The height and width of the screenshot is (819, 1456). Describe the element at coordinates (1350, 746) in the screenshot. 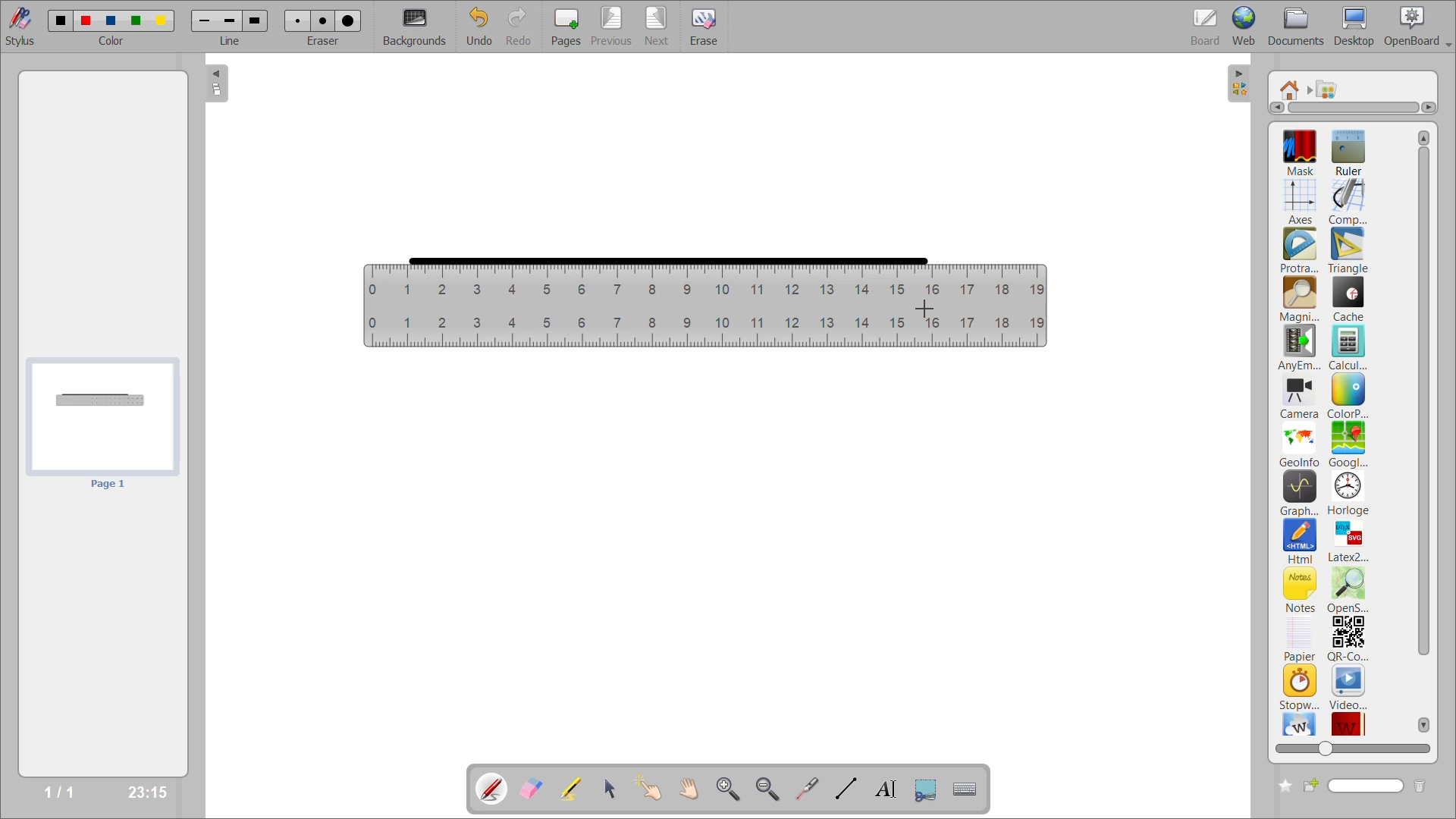

I see `zoom slider` at that location.